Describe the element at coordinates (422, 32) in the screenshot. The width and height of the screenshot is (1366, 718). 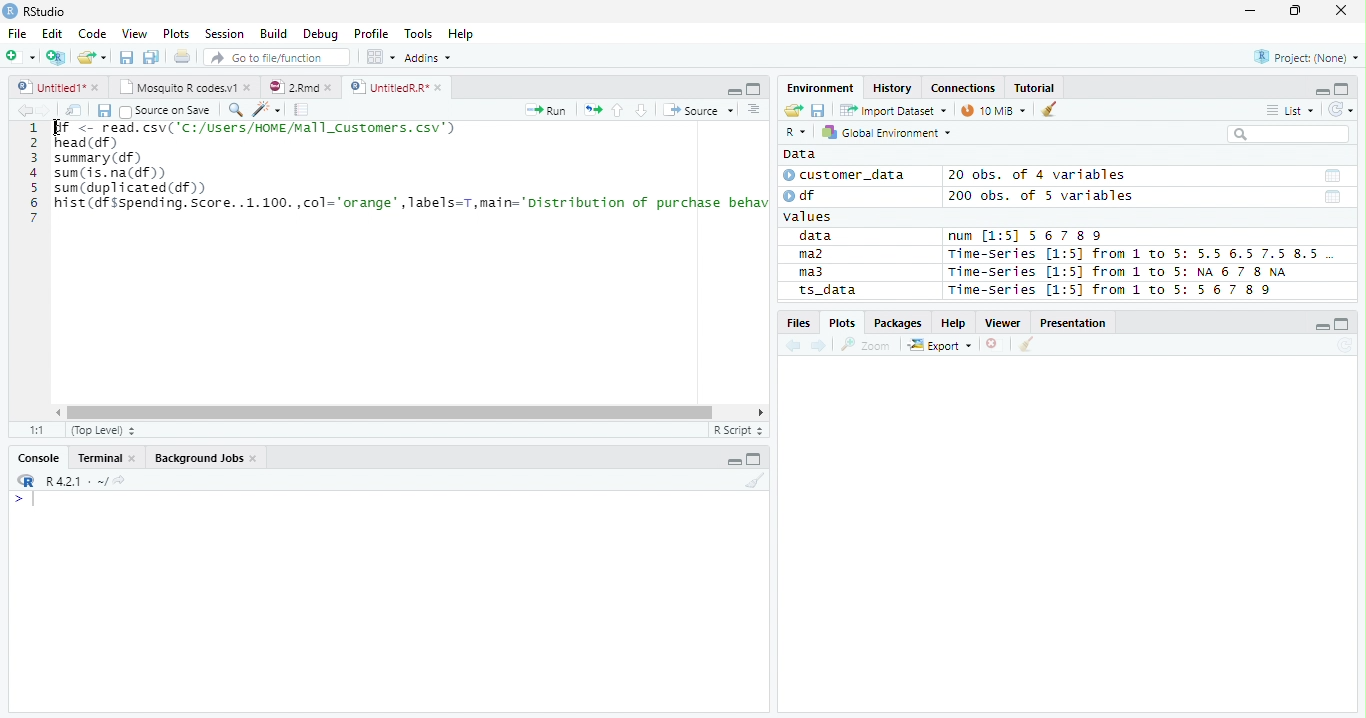
I see `Tools` at that location.